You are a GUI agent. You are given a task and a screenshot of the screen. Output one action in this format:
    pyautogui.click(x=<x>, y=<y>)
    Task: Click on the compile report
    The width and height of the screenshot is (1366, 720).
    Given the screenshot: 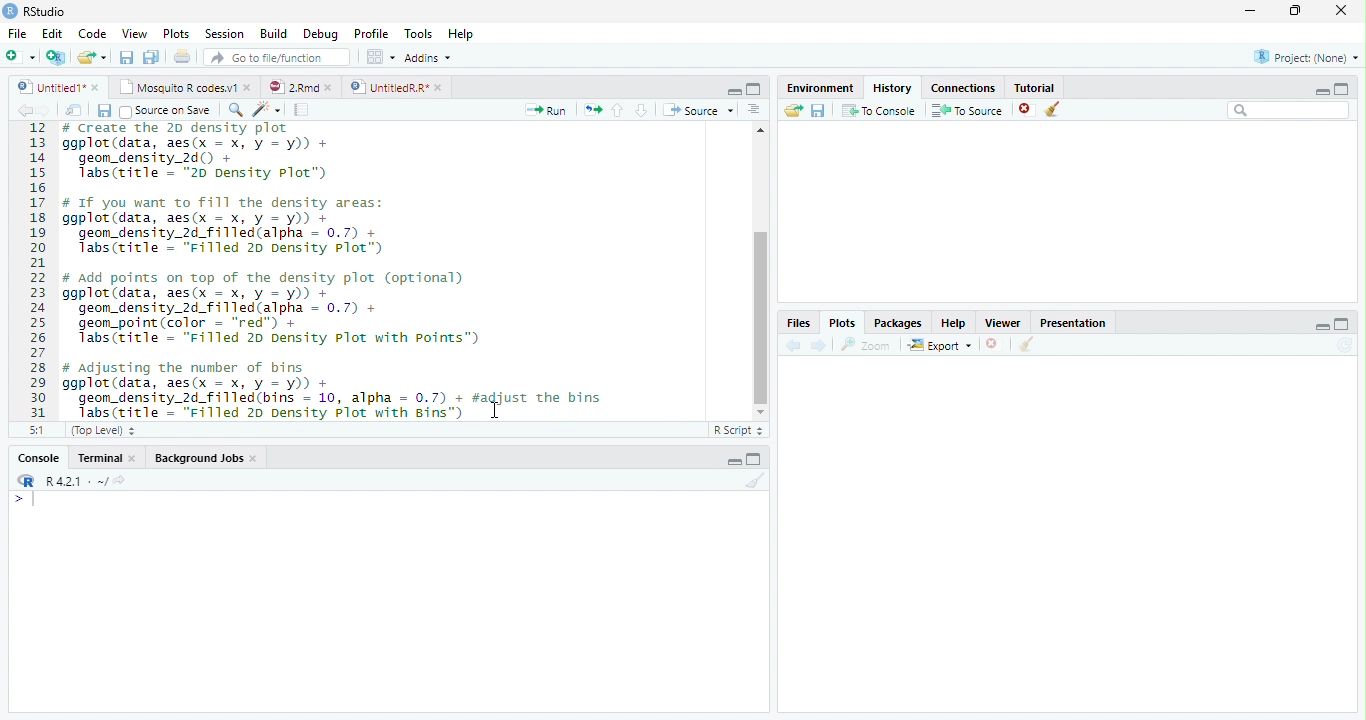 What is the action you would take?
    pyautogui.click(x=302, y=111)
    